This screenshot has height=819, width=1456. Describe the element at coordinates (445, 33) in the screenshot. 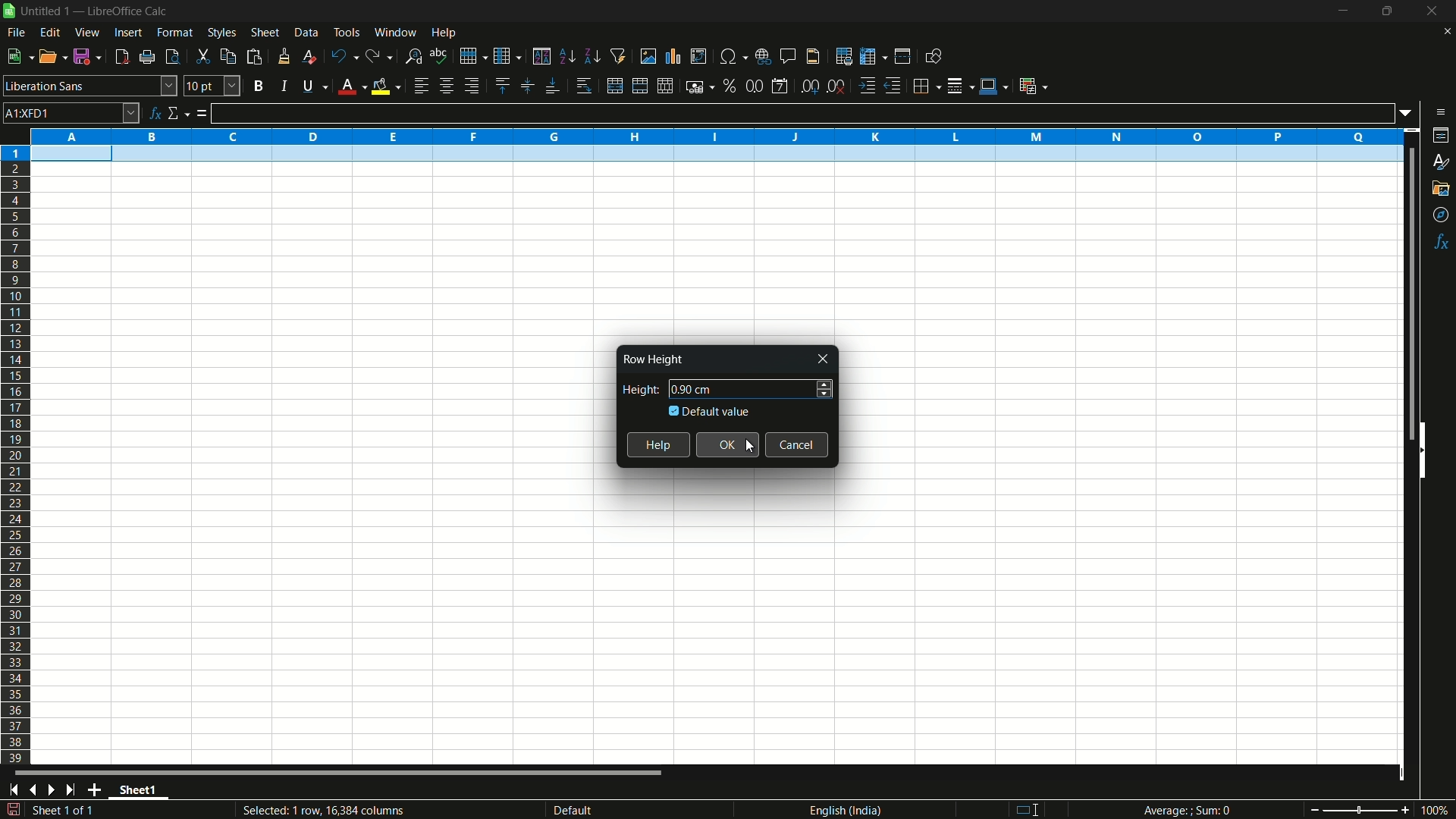

I see `help menu` at that location.